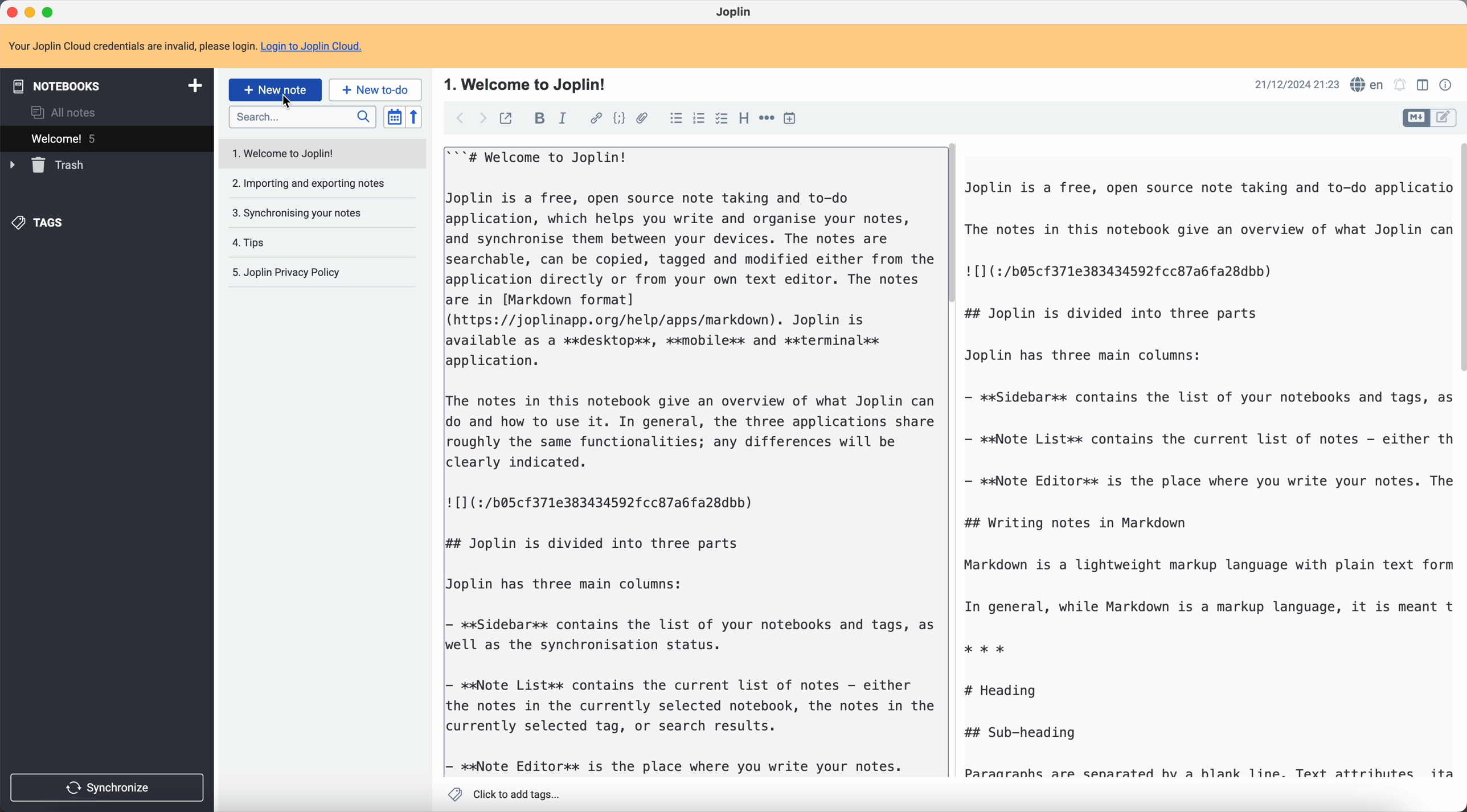 This screenshot has width=1467, height=812. I want to click on welcome, so click(108, 138).